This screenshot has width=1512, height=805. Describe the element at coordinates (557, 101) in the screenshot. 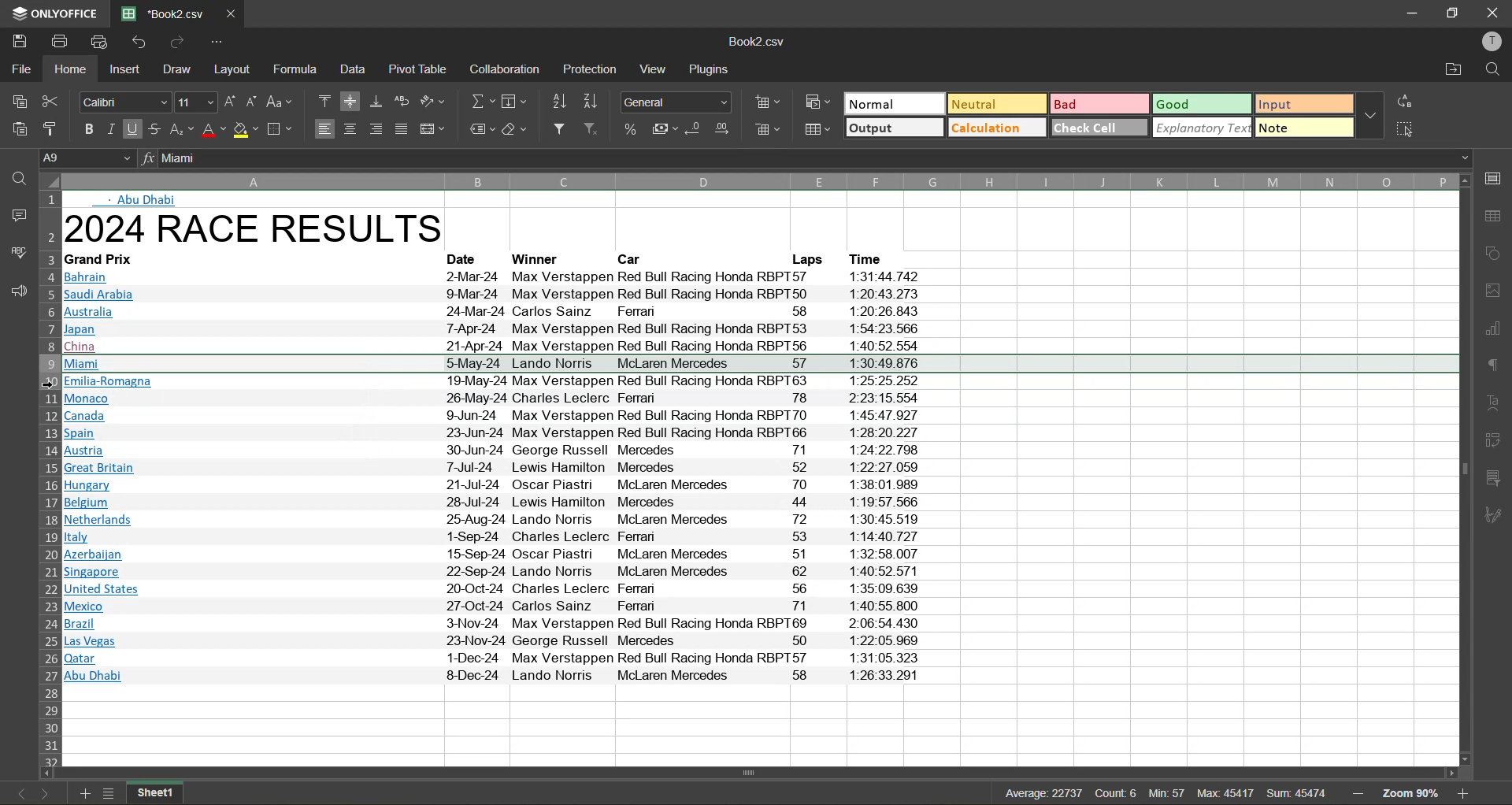

I see `sort ascending` at that location.